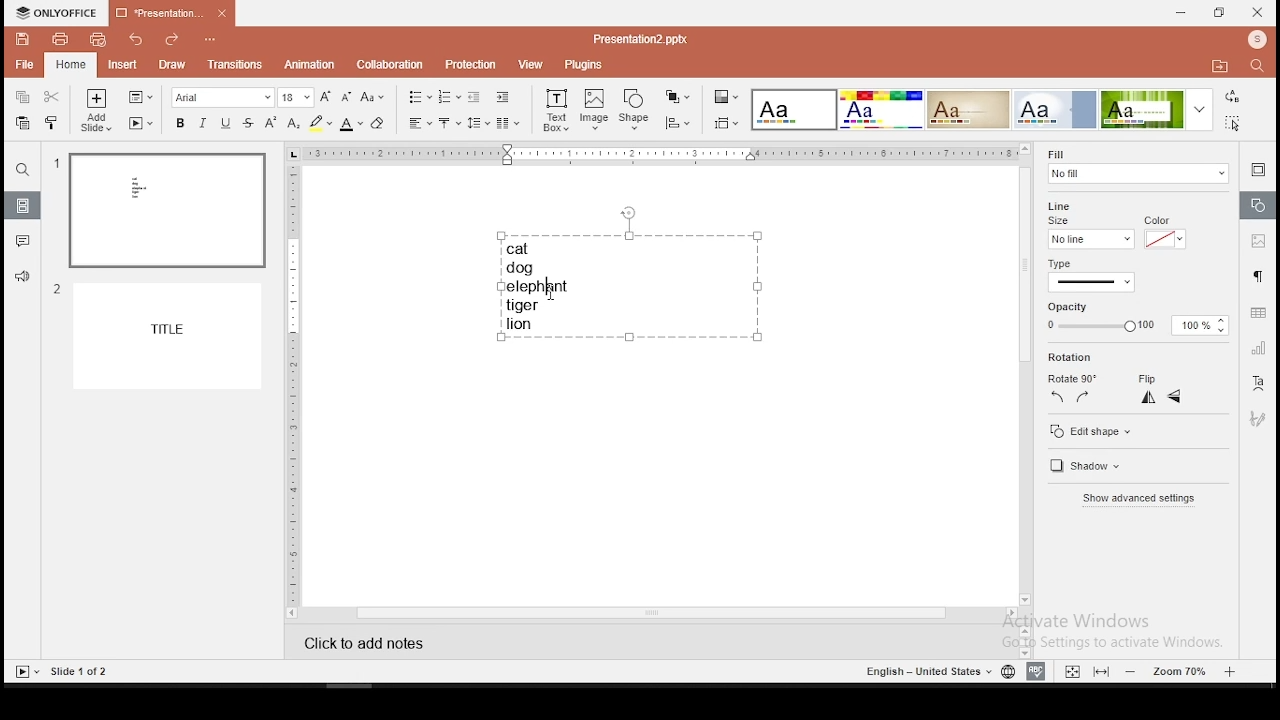 The height and width of the screenshot is (720, 1280). Describe the element at coordinates (58, 13) in the screenshot. I see `icon` at that location.